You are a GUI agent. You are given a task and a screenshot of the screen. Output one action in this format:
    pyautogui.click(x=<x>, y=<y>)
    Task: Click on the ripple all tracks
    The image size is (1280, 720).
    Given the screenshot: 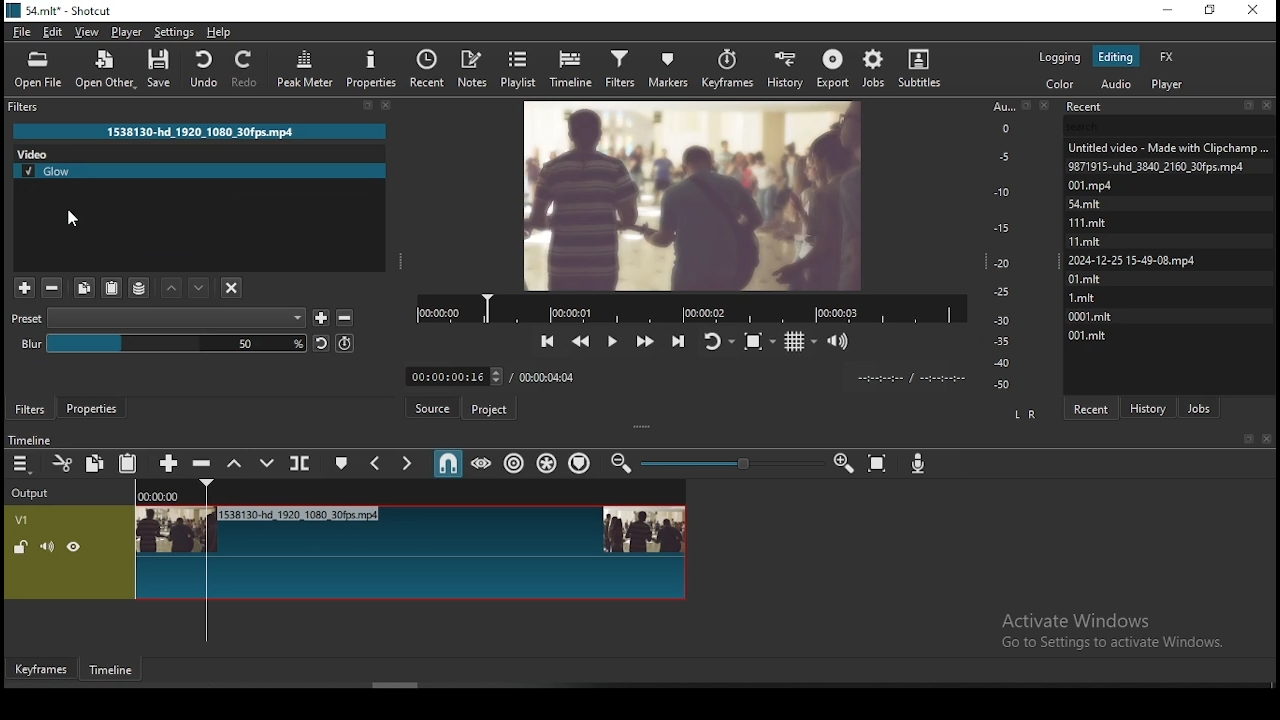 What is the action you would take?
    pyautogui.click(x=548, y=464)
    